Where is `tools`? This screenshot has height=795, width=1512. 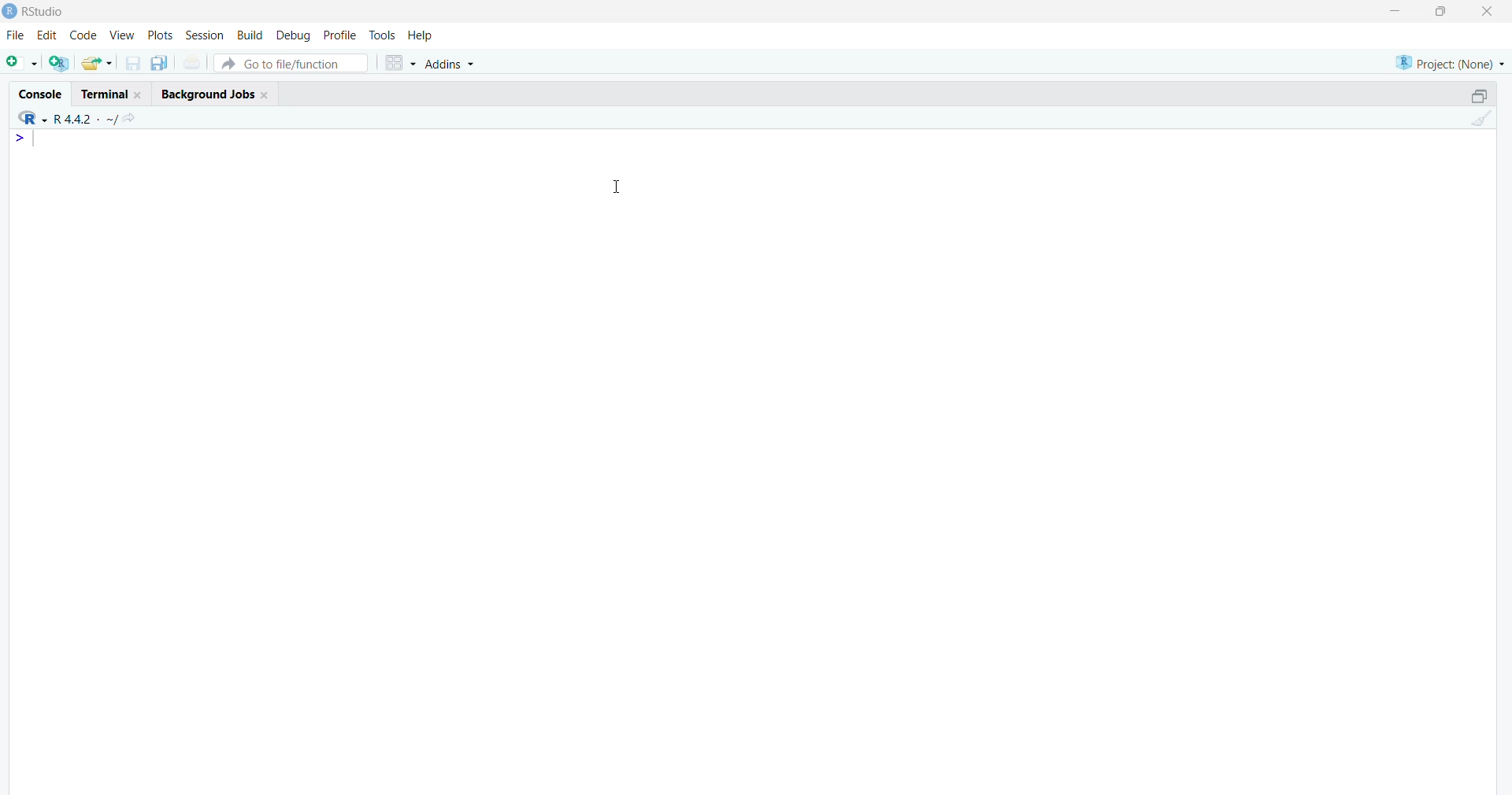
tools is located at coordinates (382, 35).